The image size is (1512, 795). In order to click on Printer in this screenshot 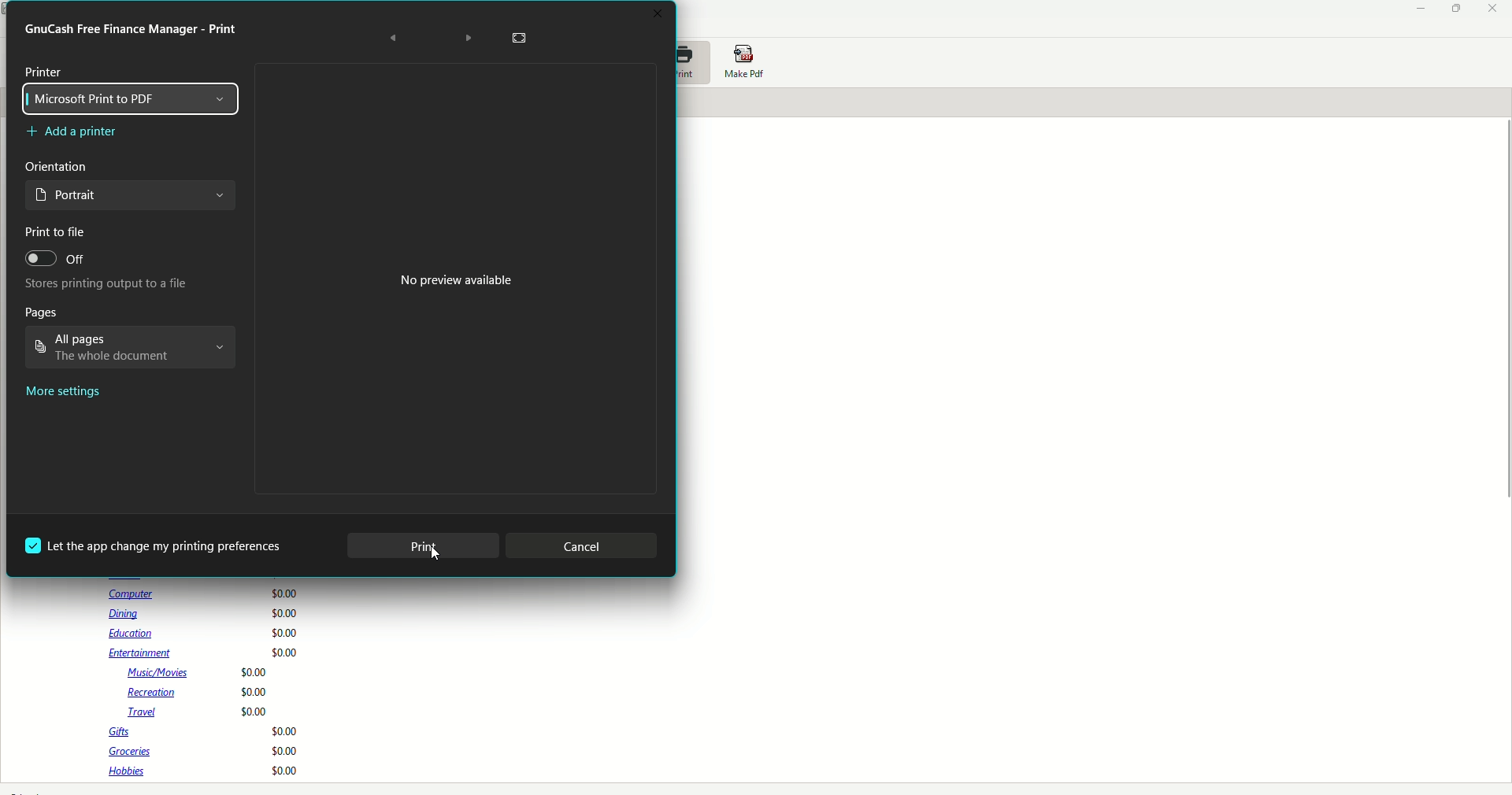, I will do `click(45, 72)`.